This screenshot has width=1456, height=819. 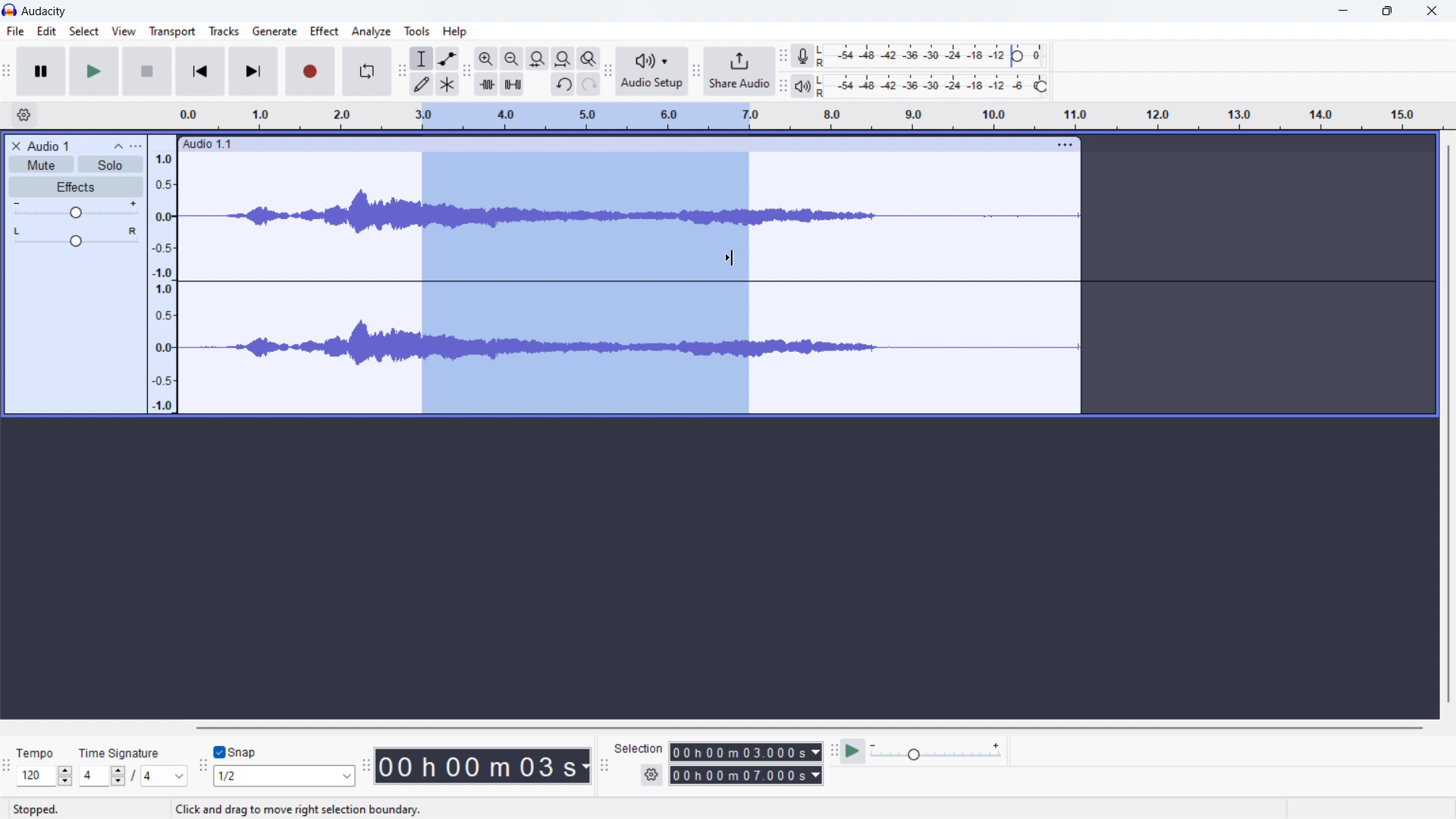 What do you see at coordinates (745, 752) in the screenshot?
I see `00 h 00 m 03.000s` at bounding box center [745, 752].